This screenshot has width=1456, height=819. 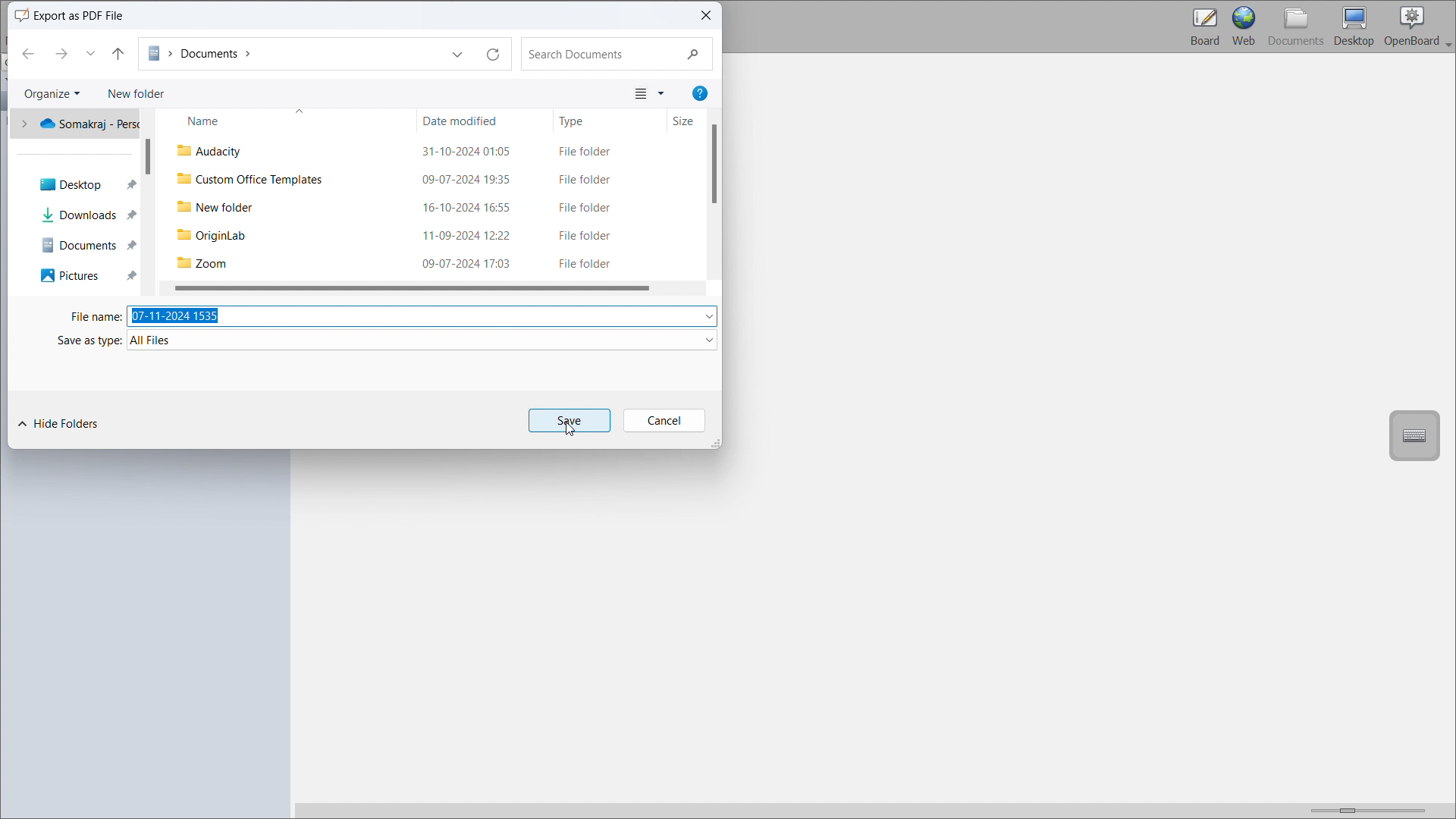 I want to click on date modified, so click(x=470, y=121).